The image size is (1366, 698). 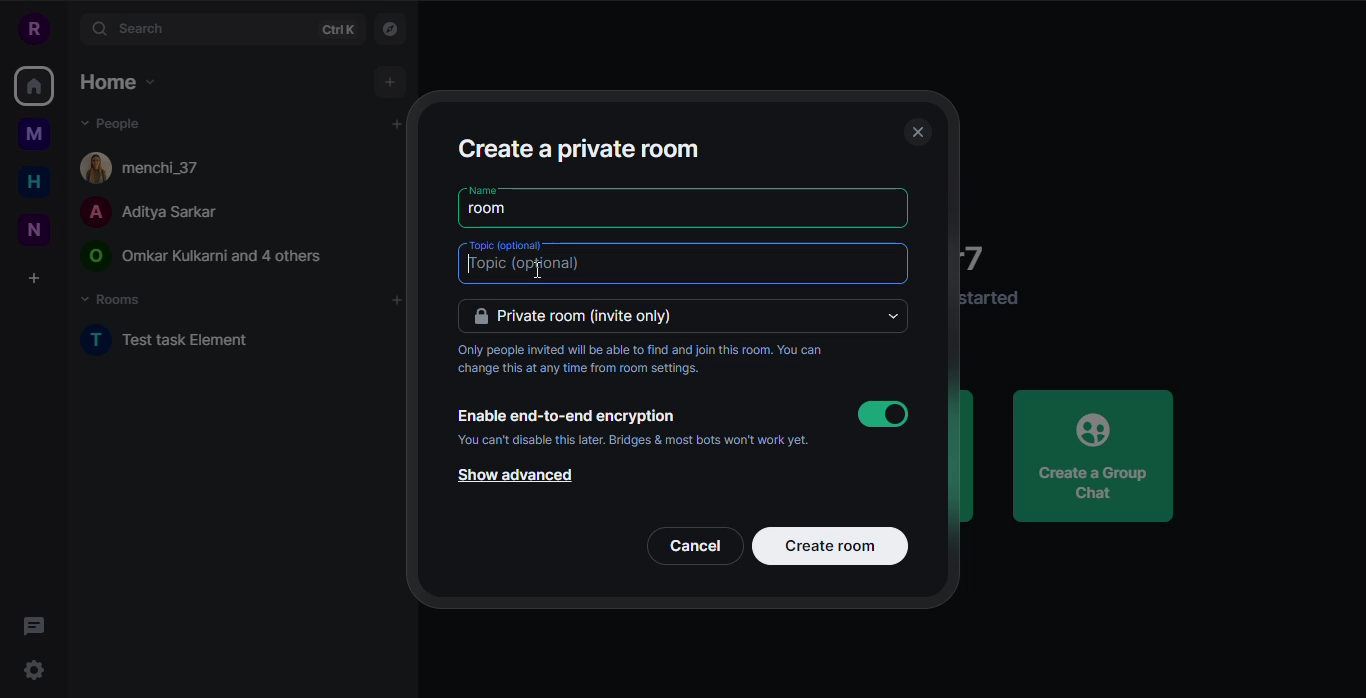 What do you see at coordinates (578, 147) in the screenshot?
I see `create a private room` at bounding box center [578, 147].